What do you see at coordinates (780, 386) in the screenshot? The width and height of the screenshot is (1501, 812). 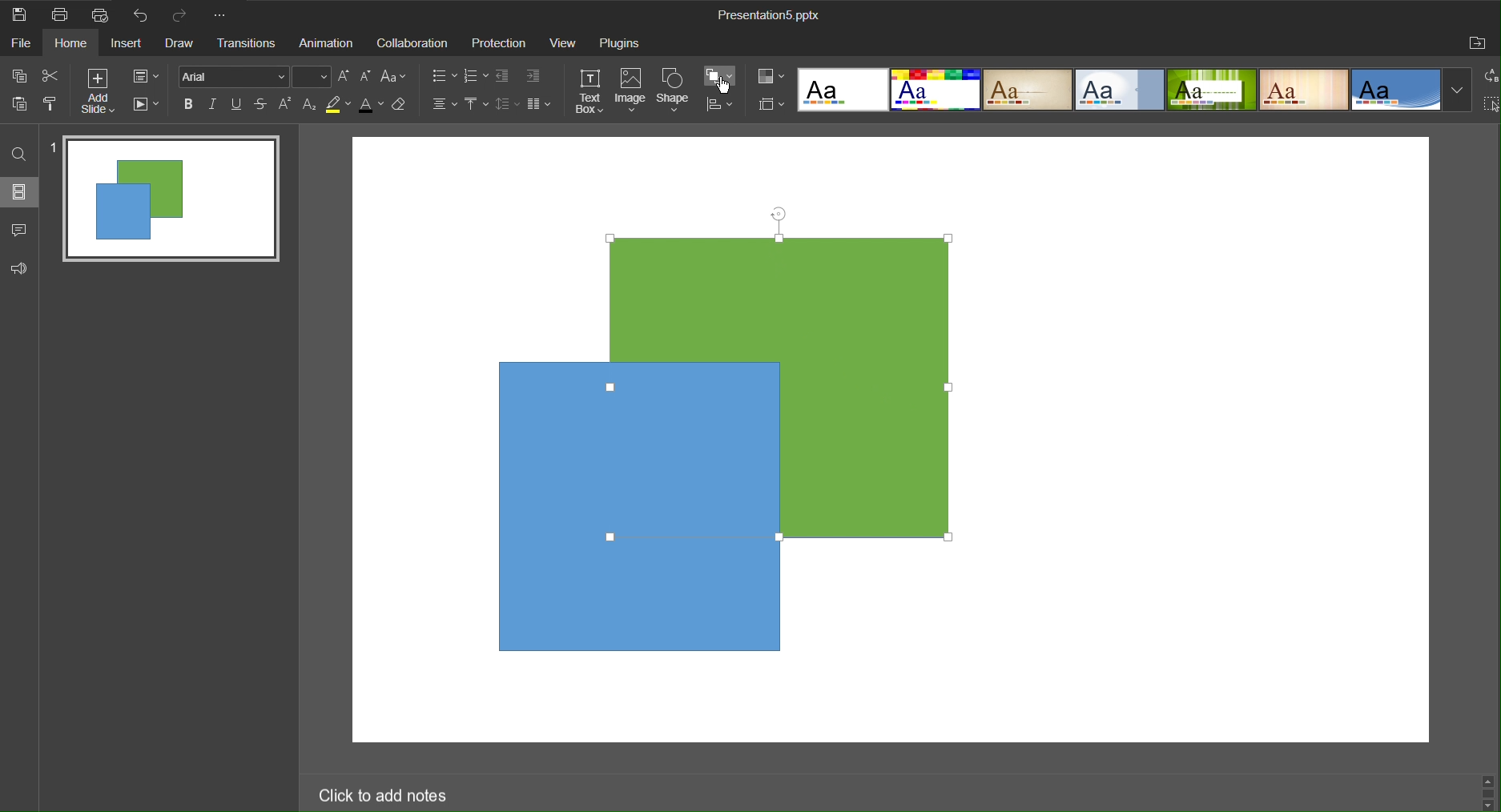 I see `Shape Selected` at bounding box center [780, 386].